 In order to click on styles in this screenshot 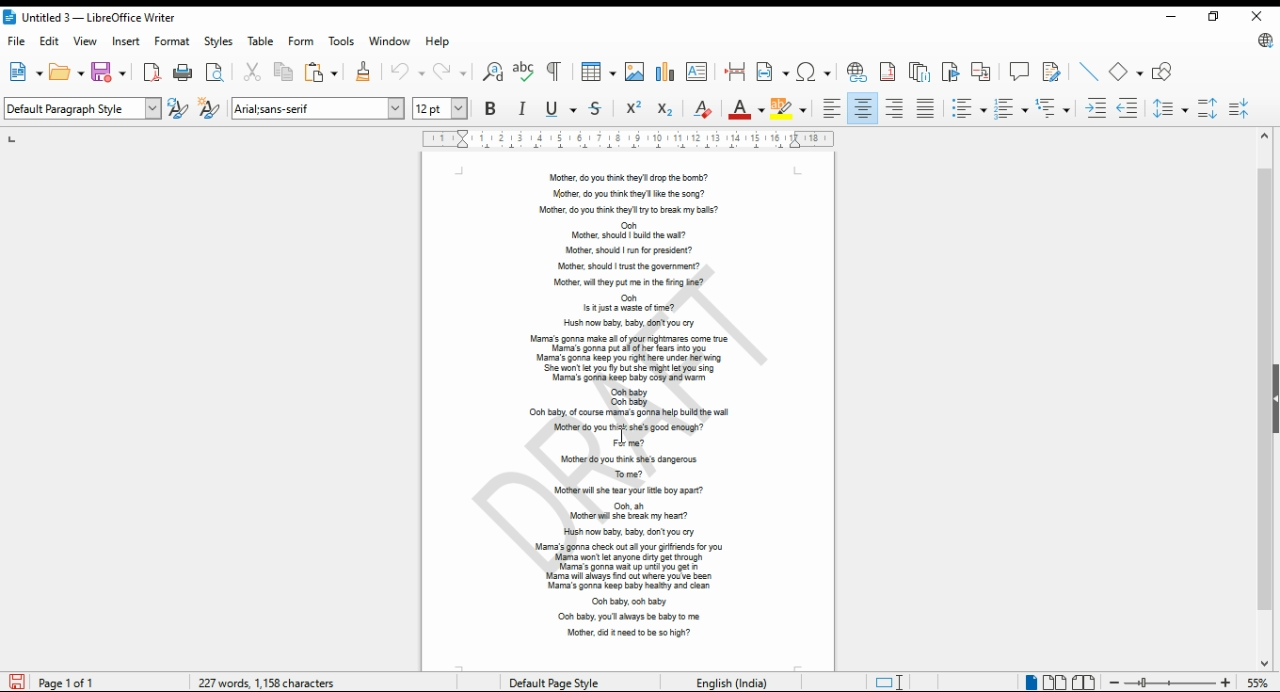, I will do `click(221, 41)`.